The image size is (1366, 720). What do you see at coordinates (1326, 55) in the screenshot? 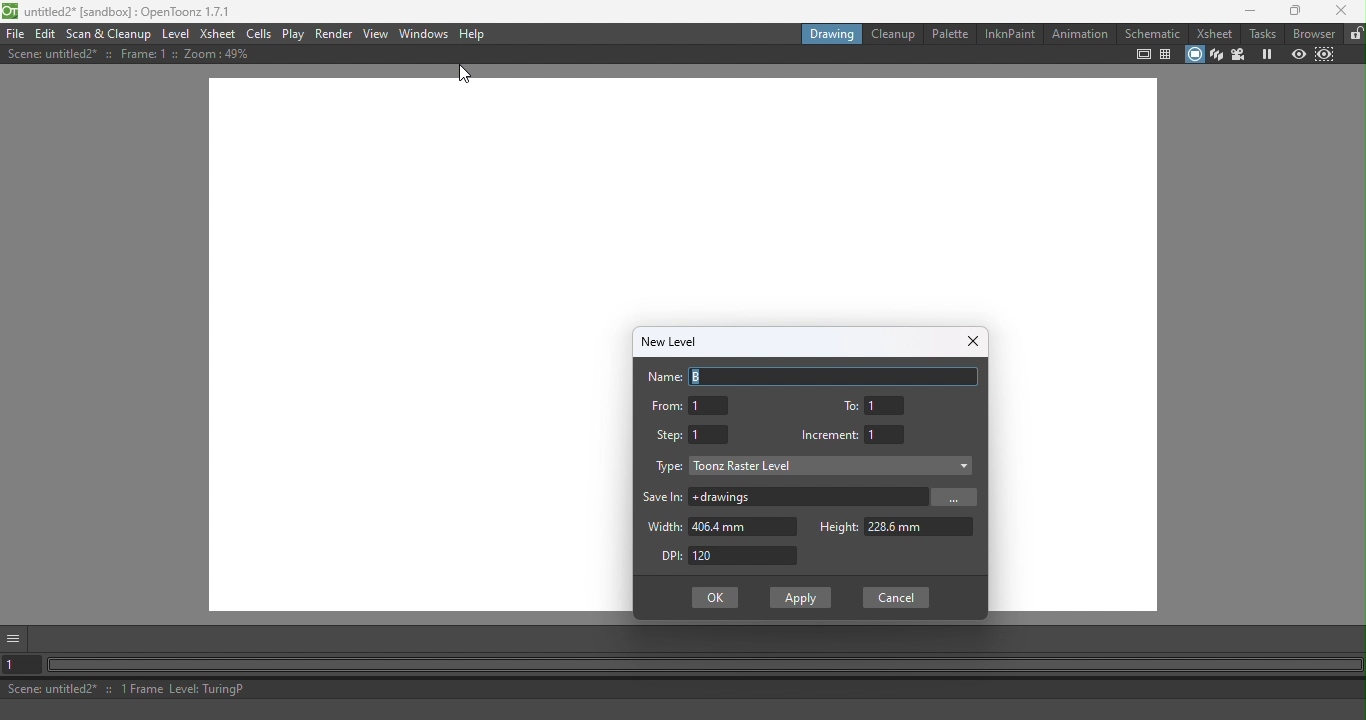
I see `Sub-camera preview` at bounding box center [1326, 55].